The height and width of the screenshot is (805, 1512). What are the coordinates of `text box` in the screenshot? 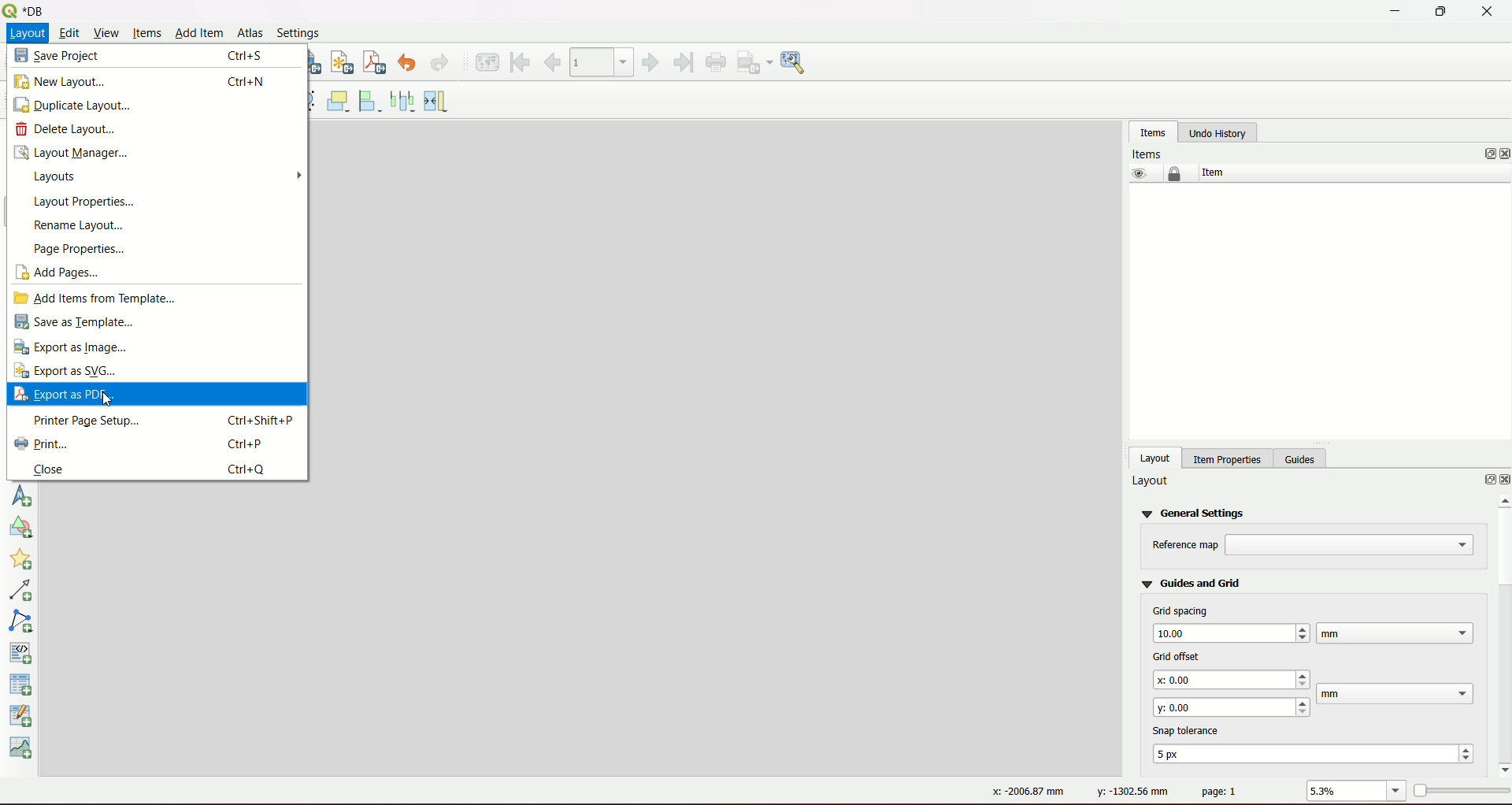 It's located at (1395, 632).